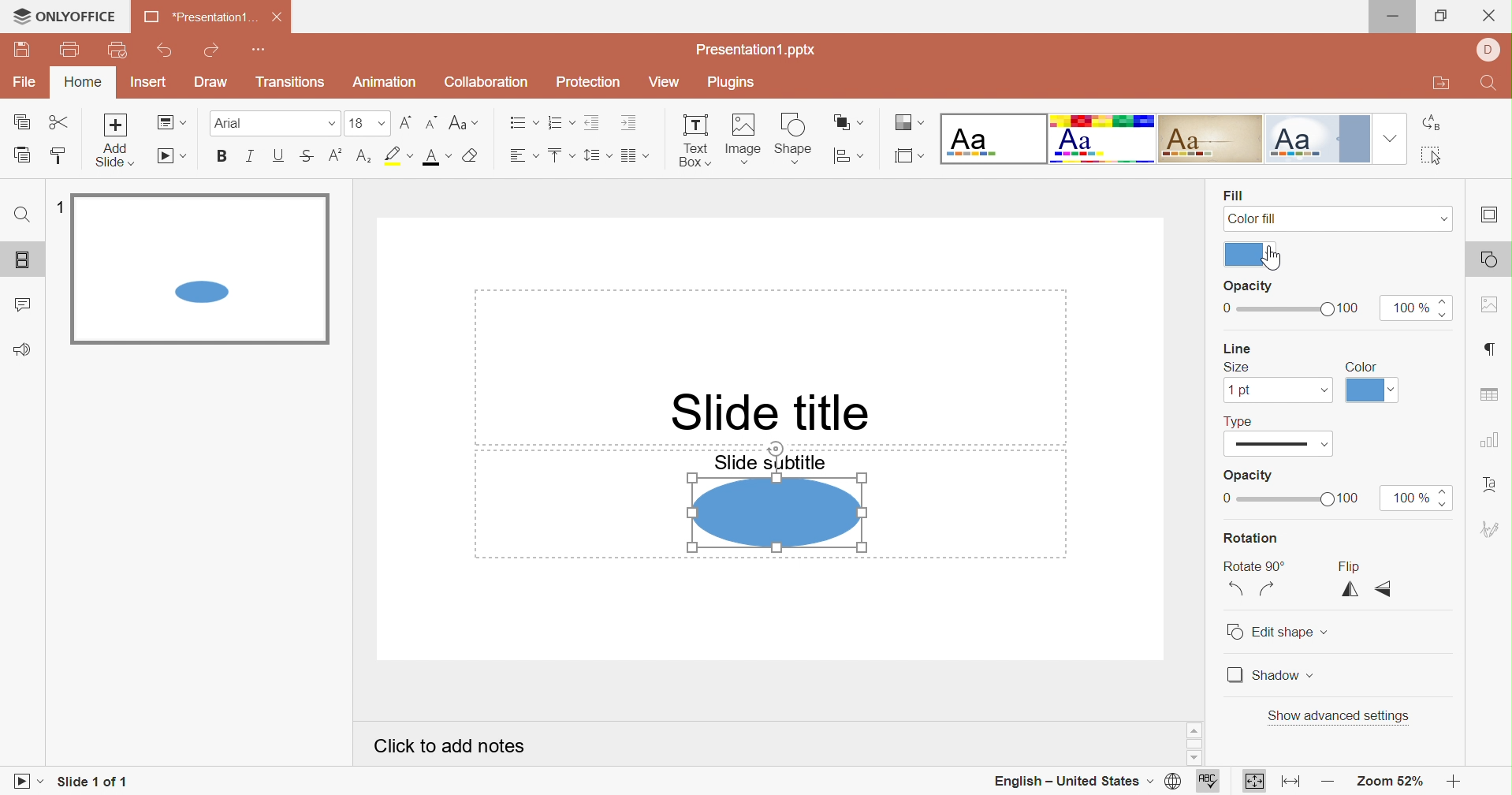 The image size is (1512, 795). Describe the element at coordinates (1363, 364) in the screenshot. I see `Color` at that location.